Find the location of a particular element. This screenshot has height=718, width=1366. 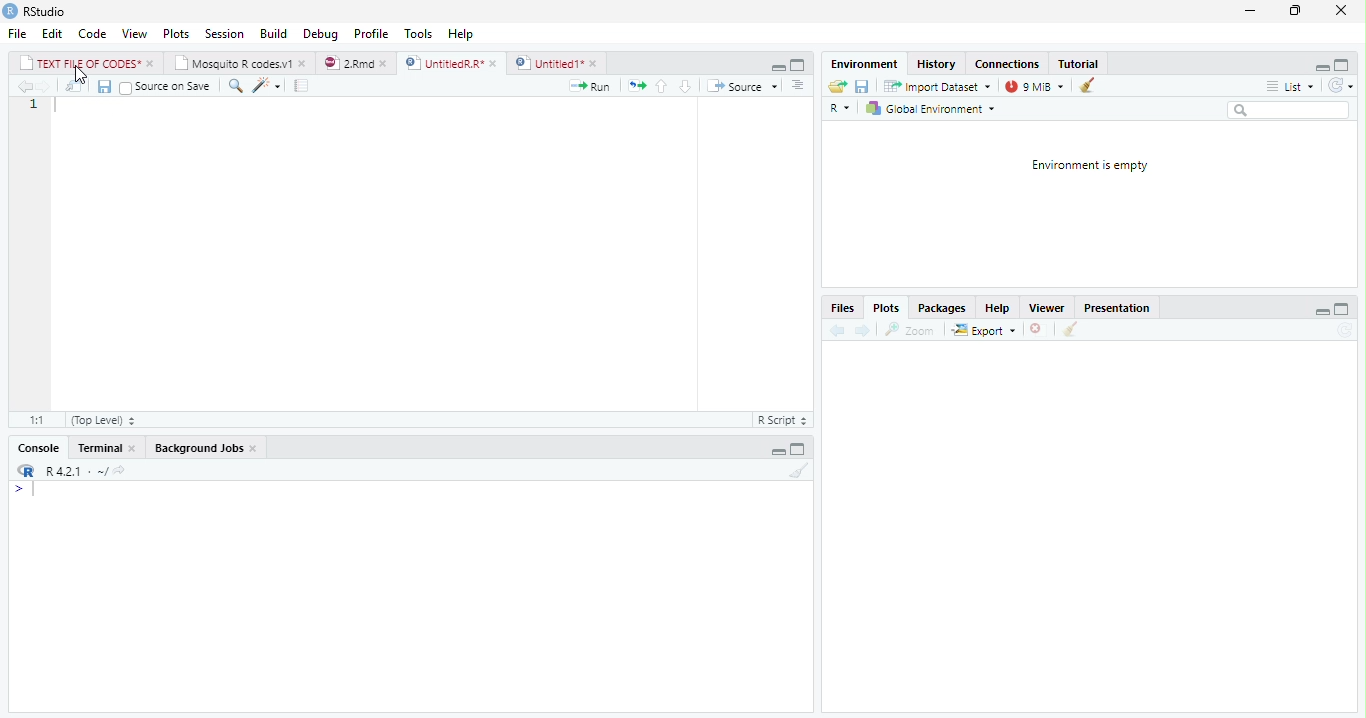

R421 - ~/ is located at coordinates (86, 471).